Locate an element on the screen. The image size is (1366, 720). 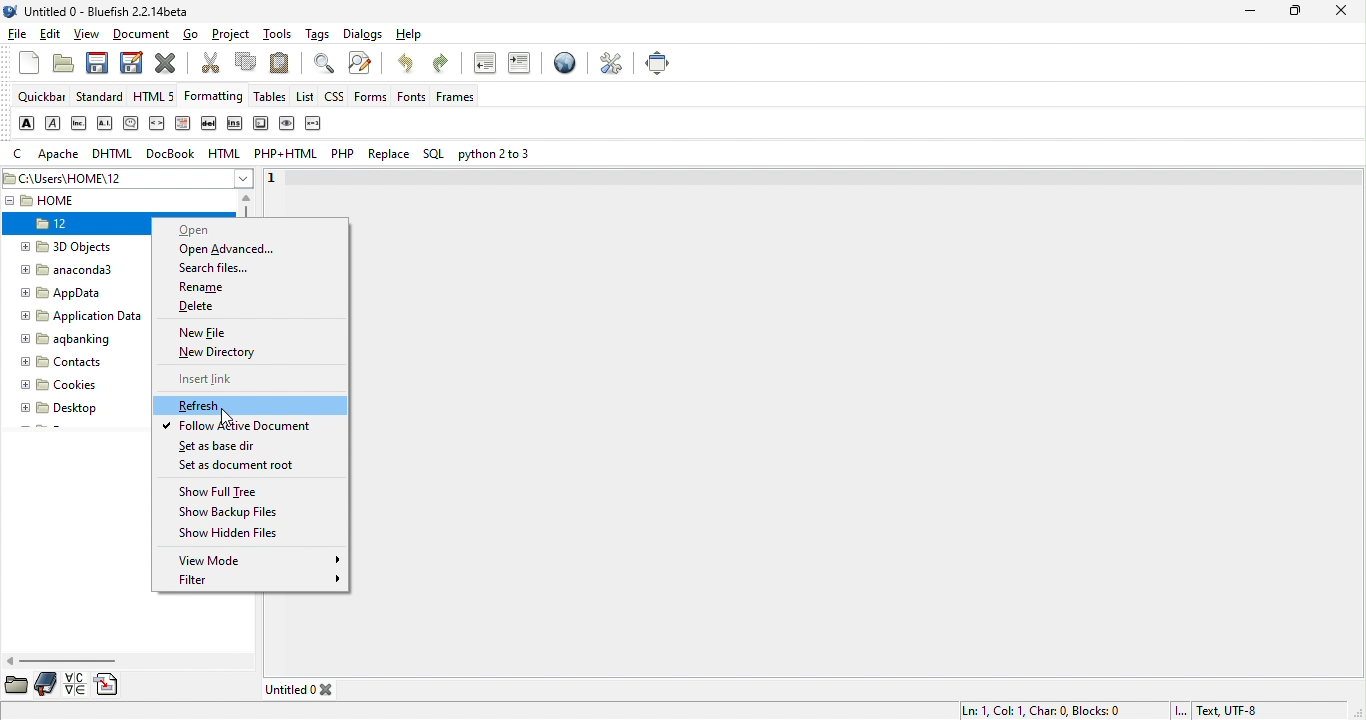
list is located at coordinates (306, 95).